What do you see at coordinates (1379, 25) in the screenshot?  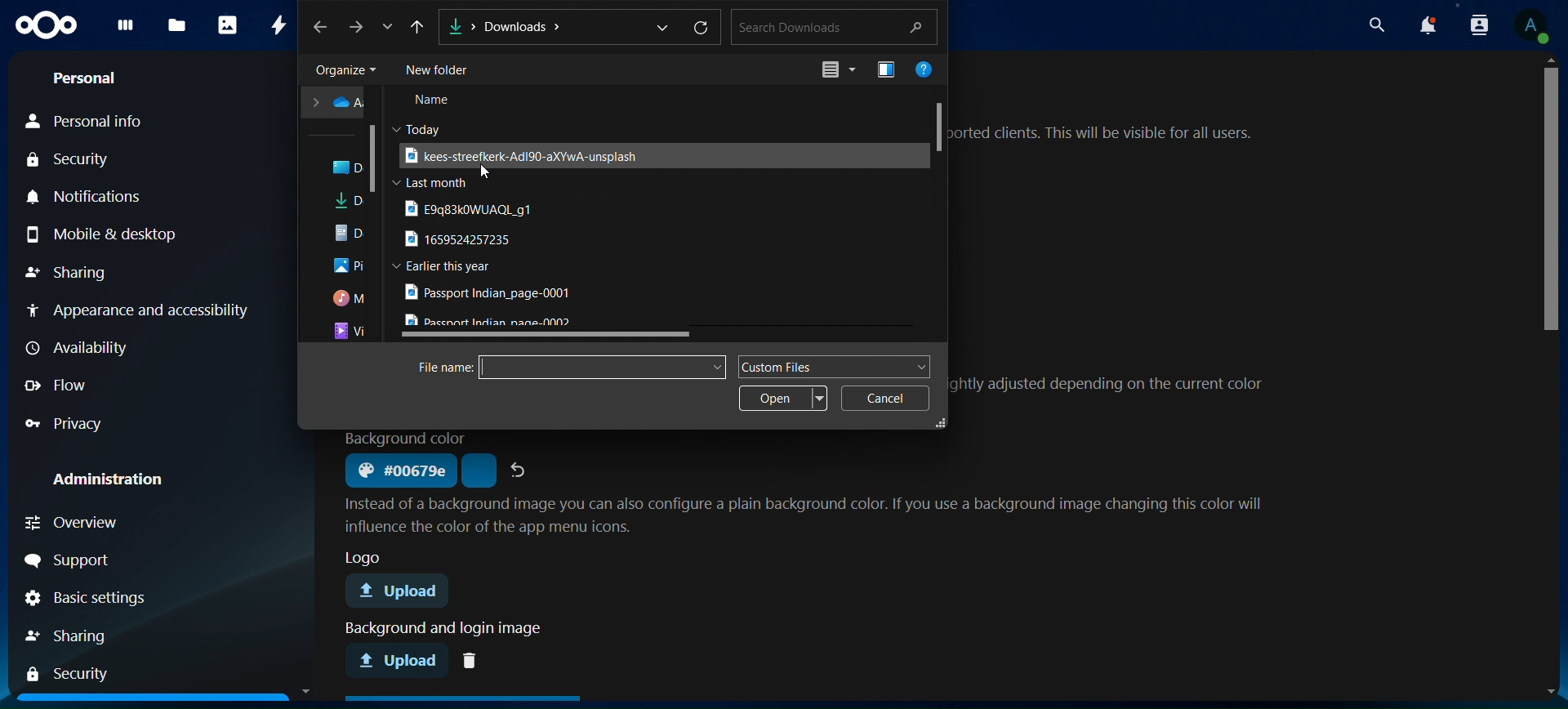 I see `search` at bounding box center [1379, 25].